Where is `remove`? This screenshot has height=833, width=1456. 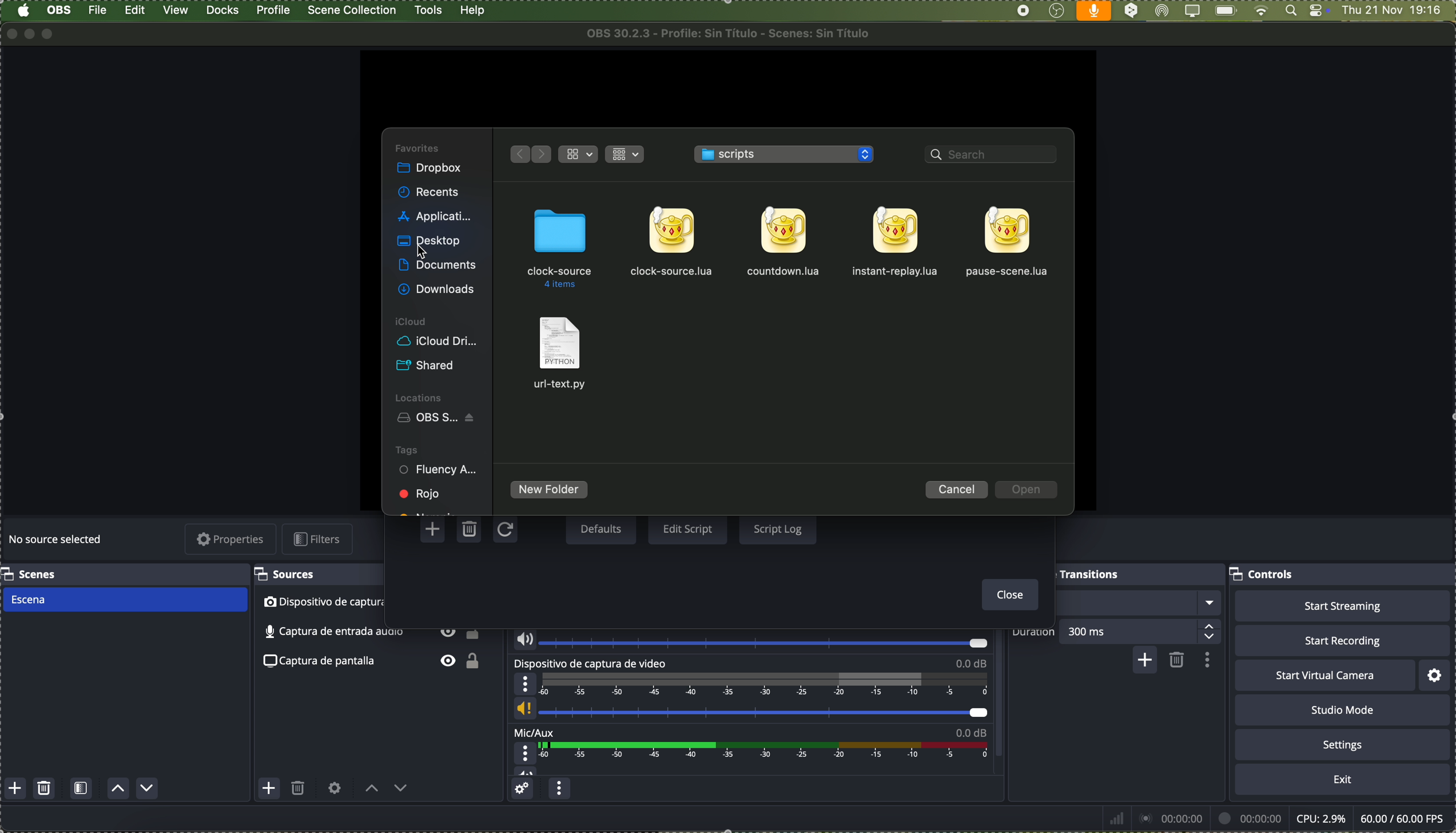 remove is located at coordinates (1177, 661).